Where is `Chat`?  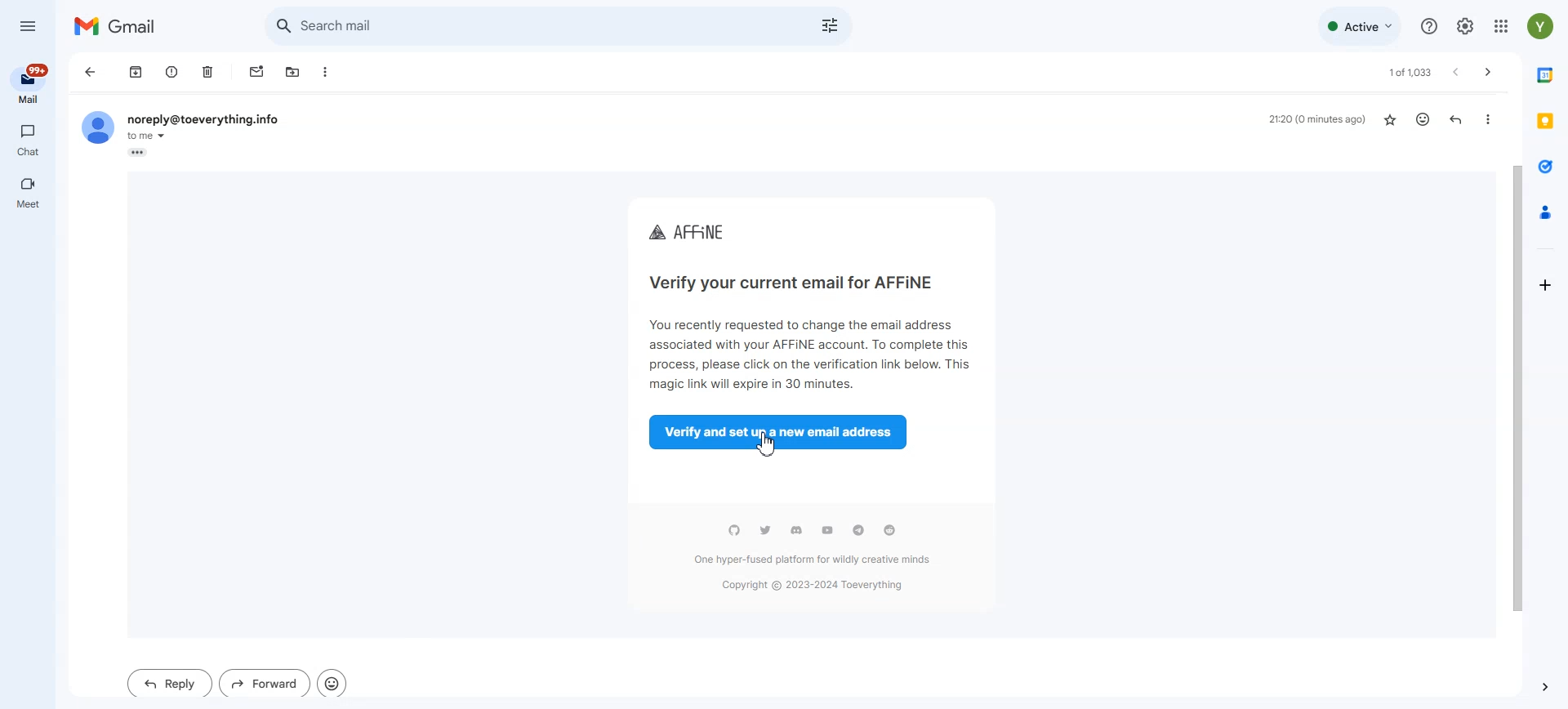 Chat is located at coordinates (28, 140).